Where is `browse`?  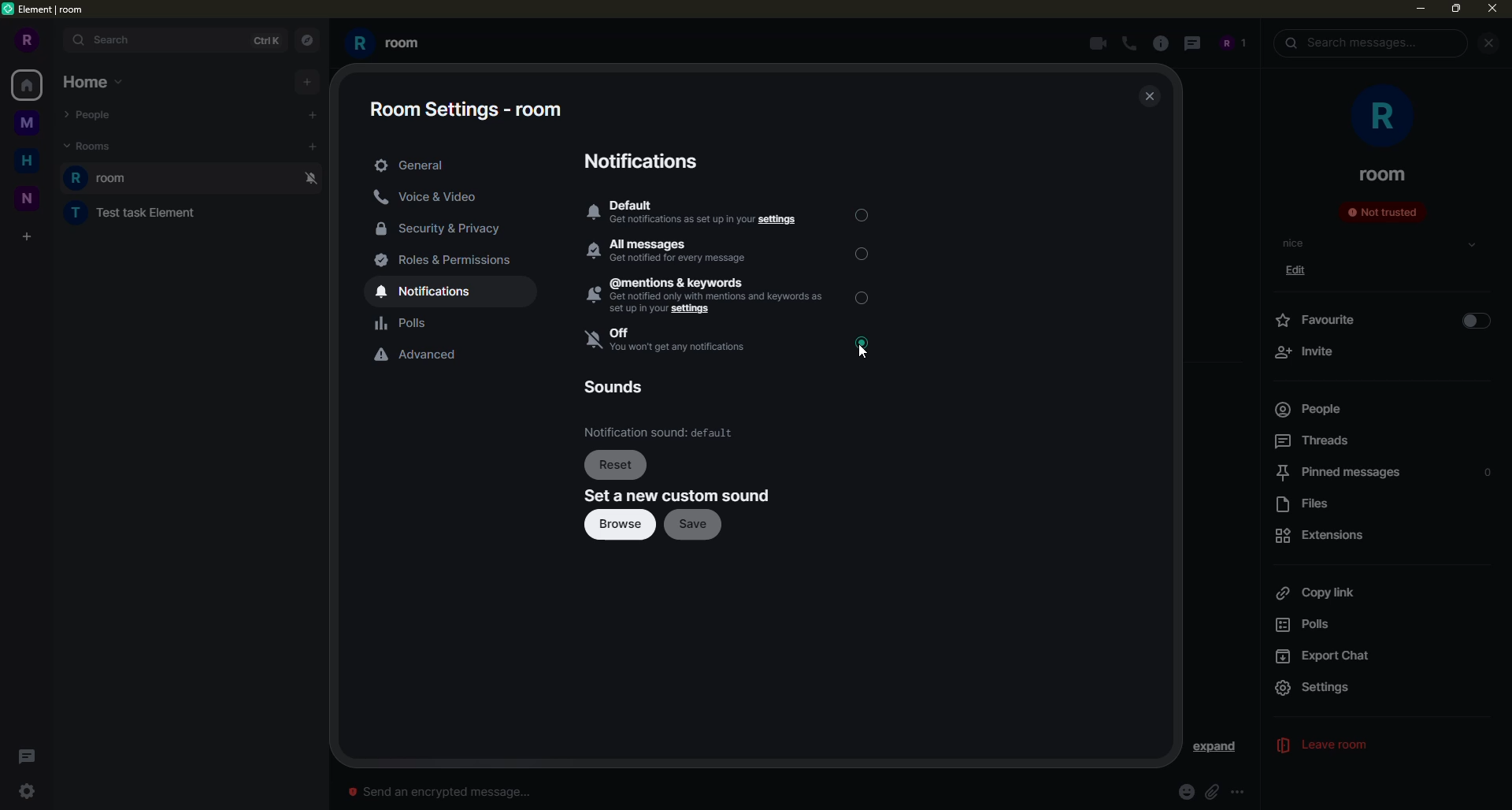 browse is located at coordinates (621, 526).